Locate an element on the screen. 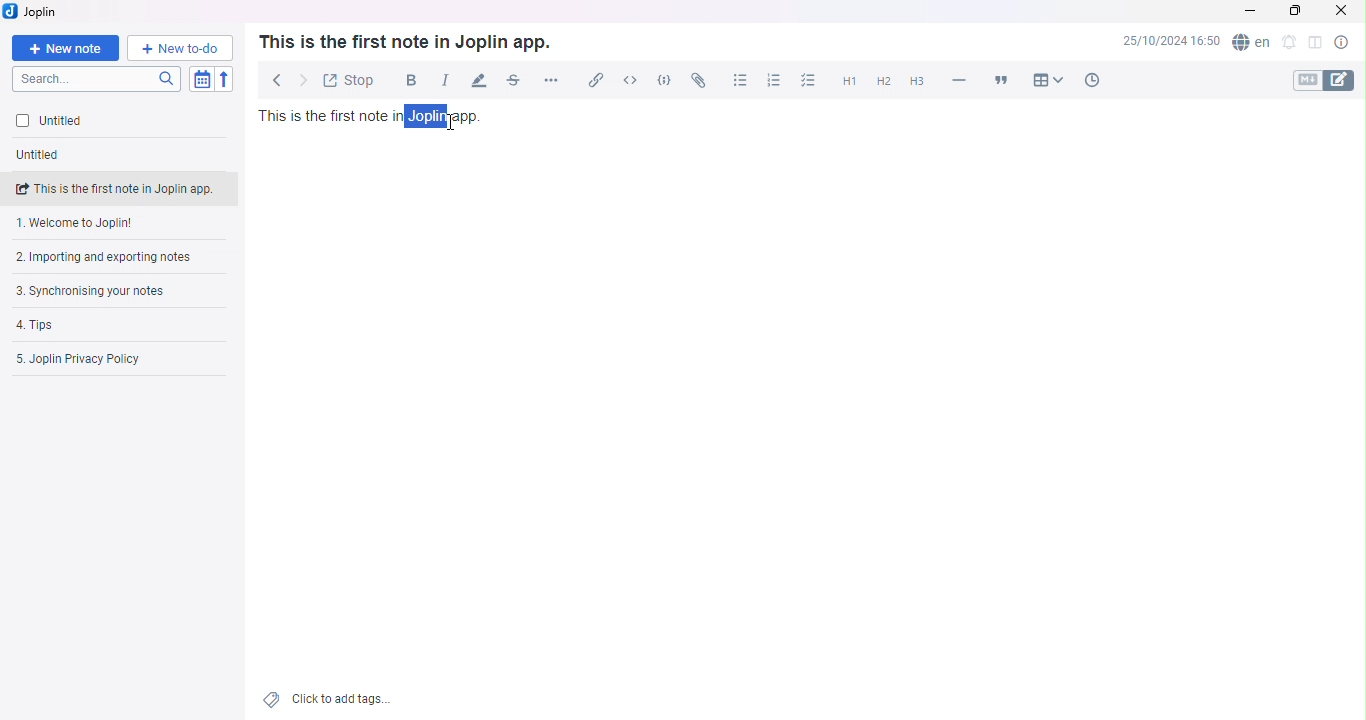 The height and width of the screenshot is (720, 1366). Italic is located at coordinates (440, 80).